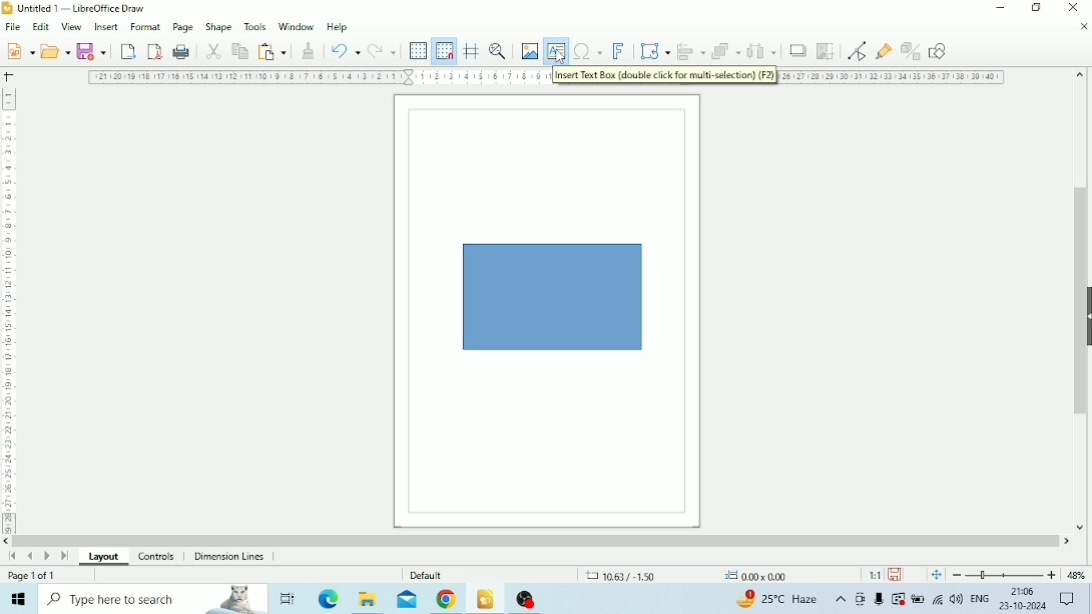  Describe the element at coordinates (485, 598) in the screenshot. I see `LibreOffice Draw` at that location.